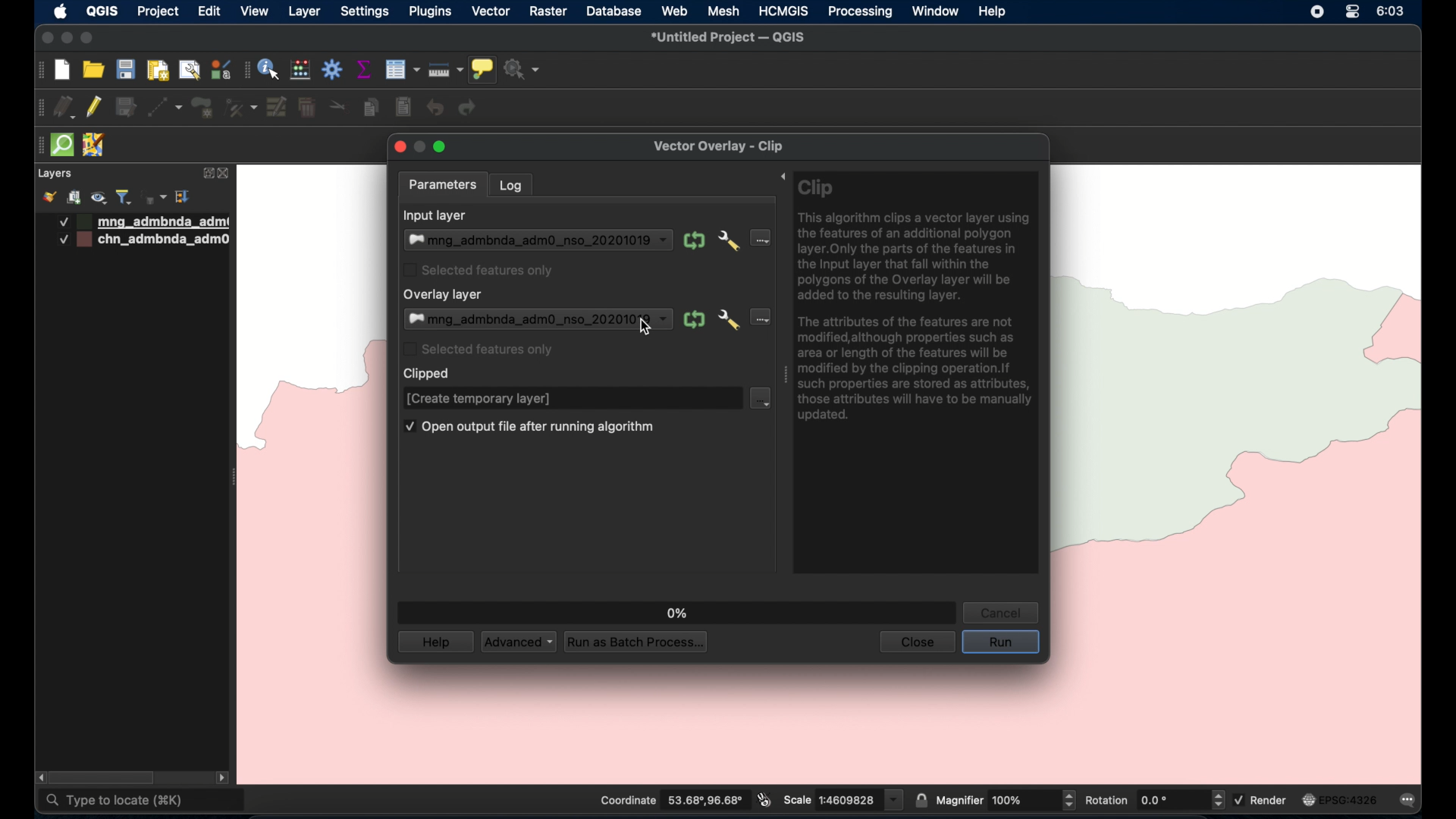 This screenshot has height=819, width=1456. What do you see at coordinates (105, 778) in the screenshot?
I see `scroll box` at bounding box center [105, 778].